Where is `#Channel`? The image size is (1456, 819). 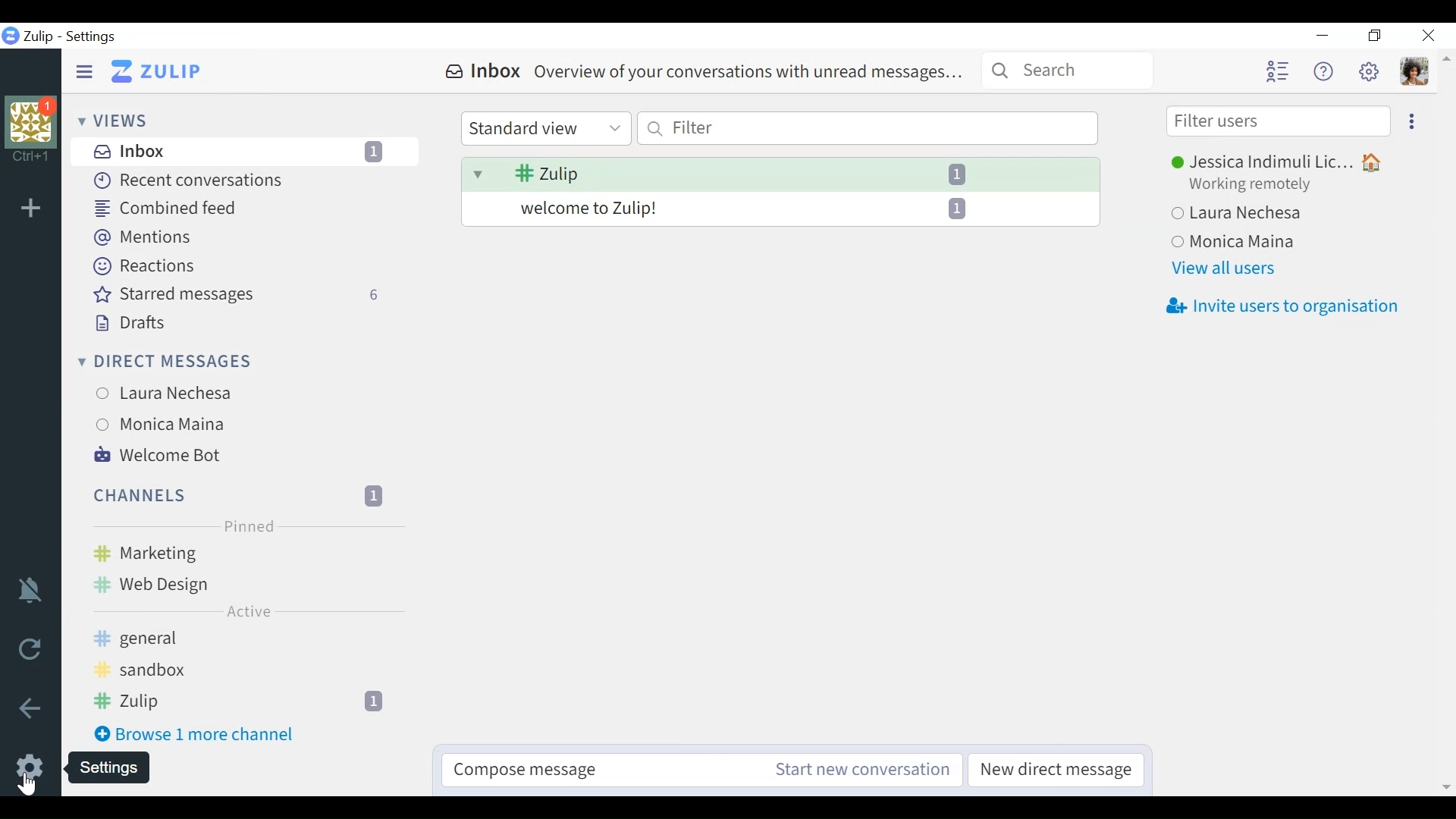
#Channel is located at coordinates (249, 554).